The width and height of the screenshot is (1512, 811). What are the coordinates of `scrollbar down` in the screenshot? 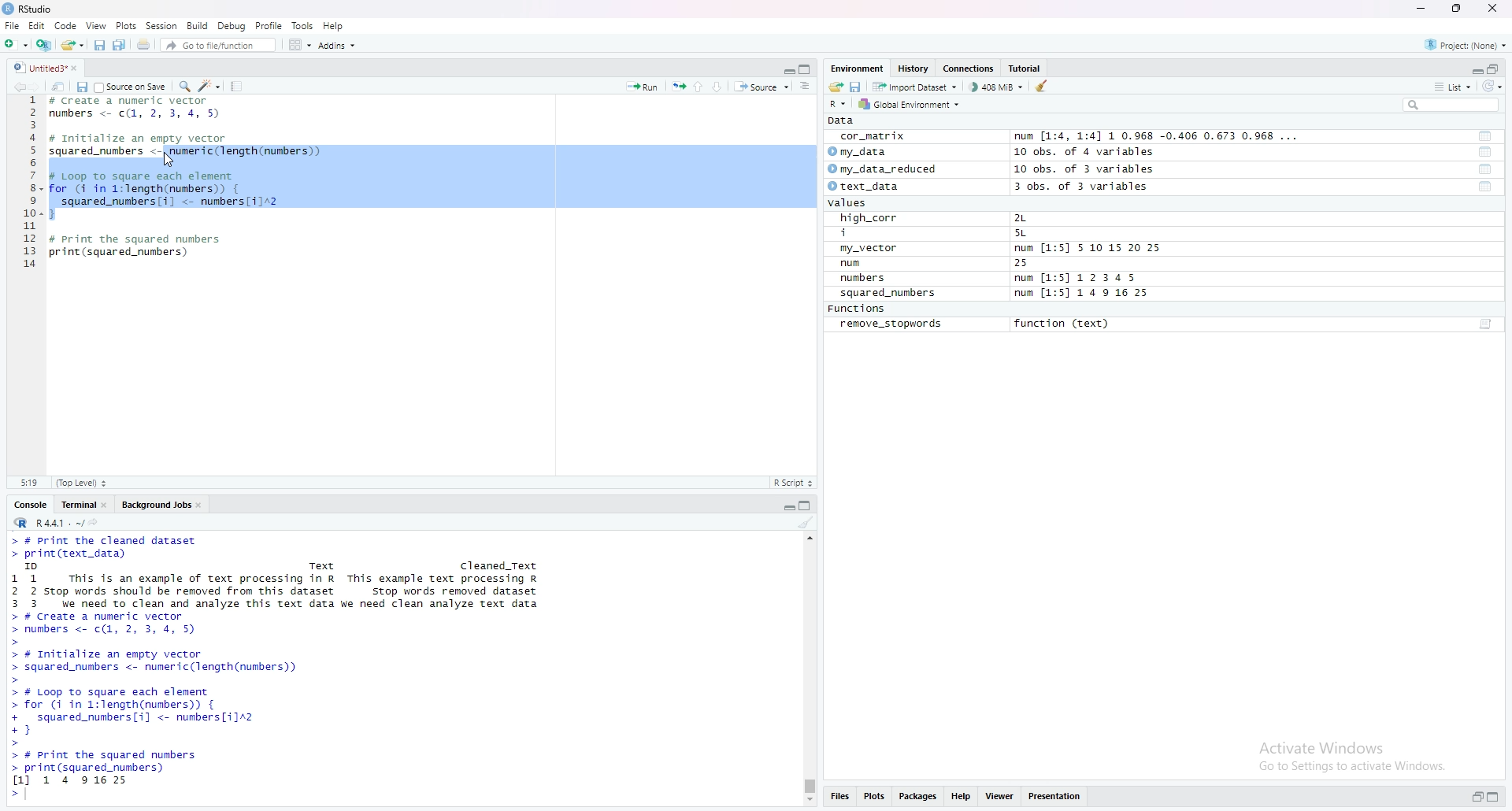 It's located at (808, 802).